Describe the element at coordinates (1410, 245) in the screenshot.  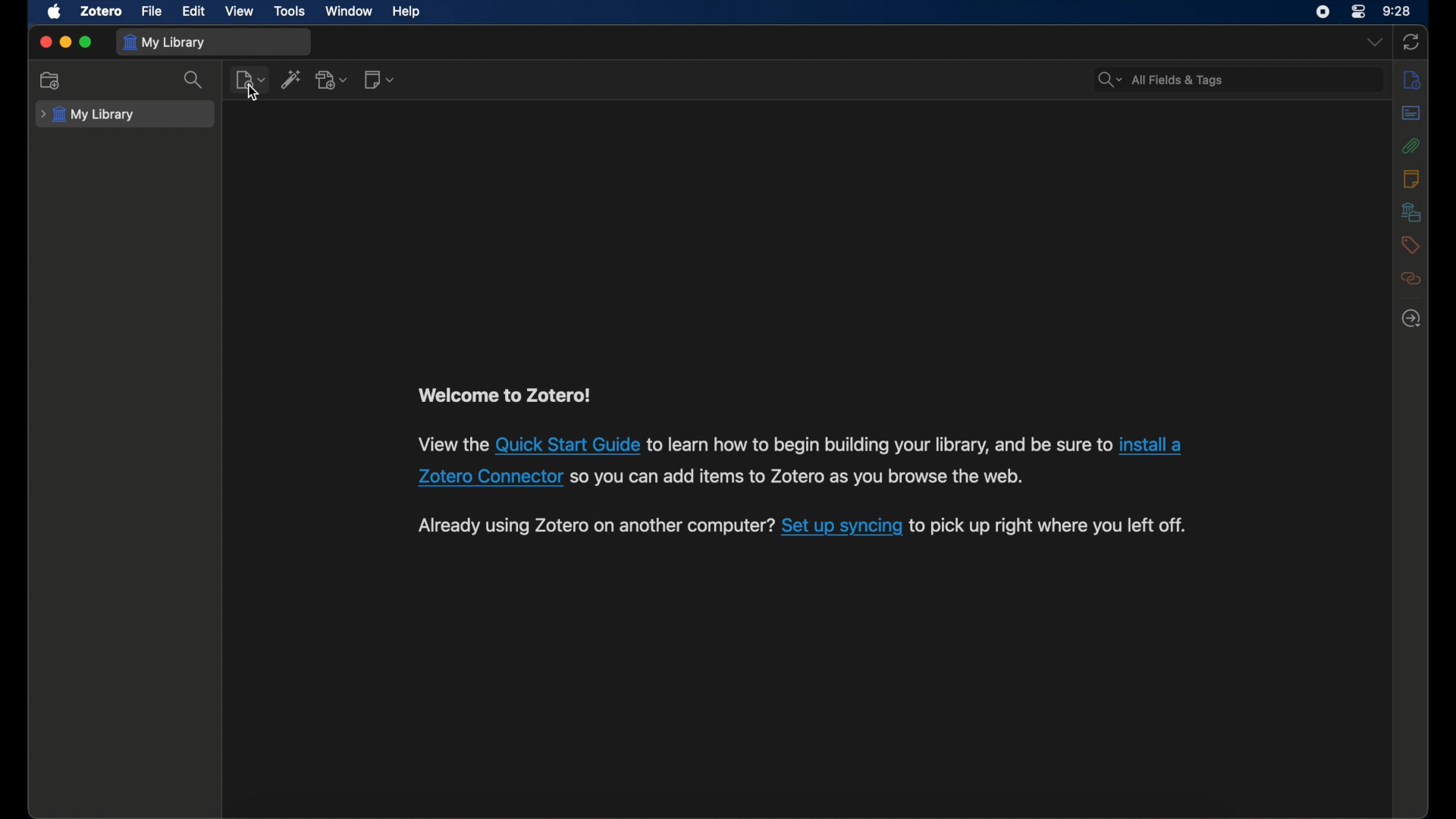
I see `tags` at that location.